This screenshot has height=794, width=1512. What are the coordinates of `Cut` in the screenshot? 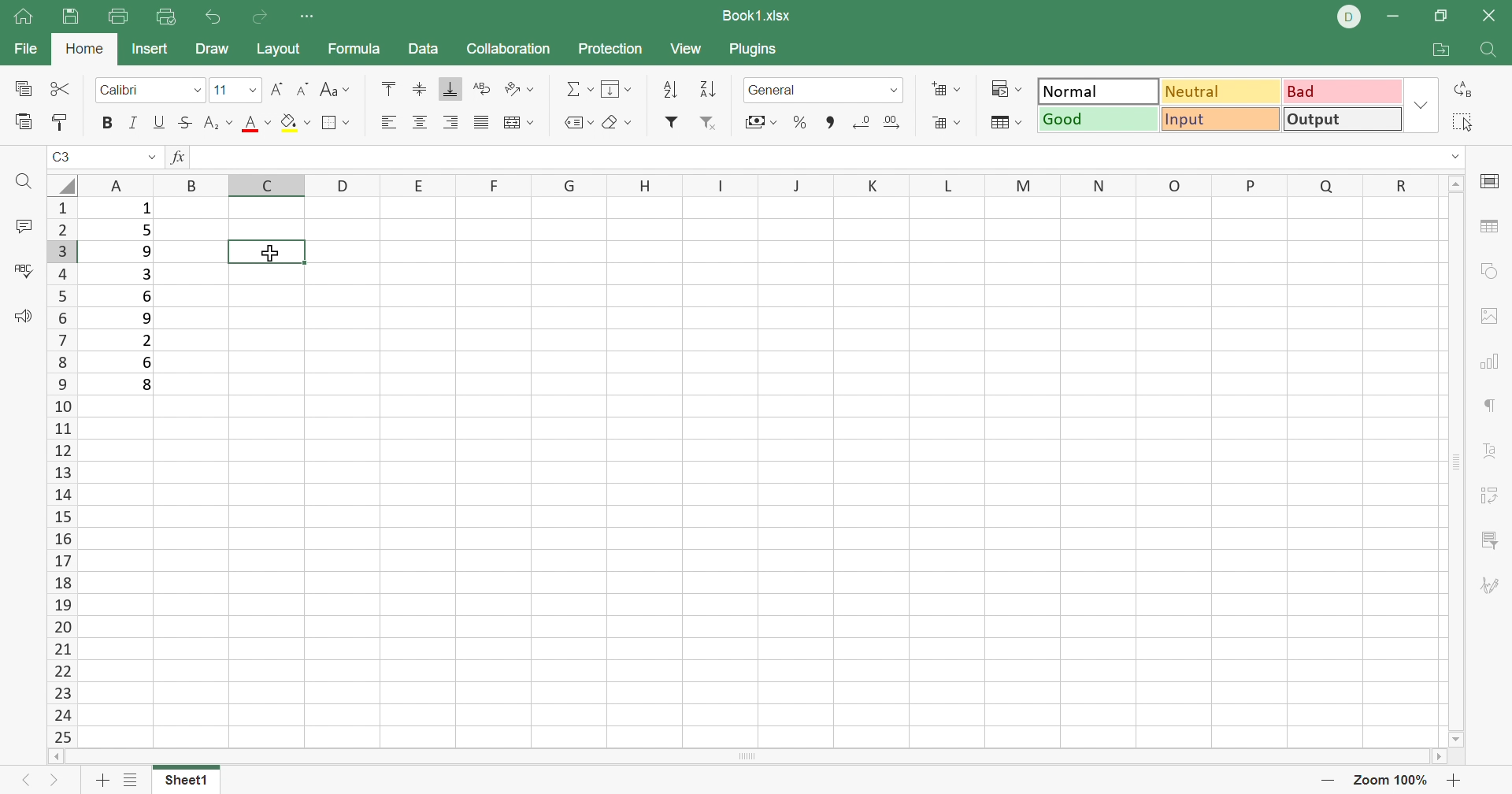 It's located at (62, 87).